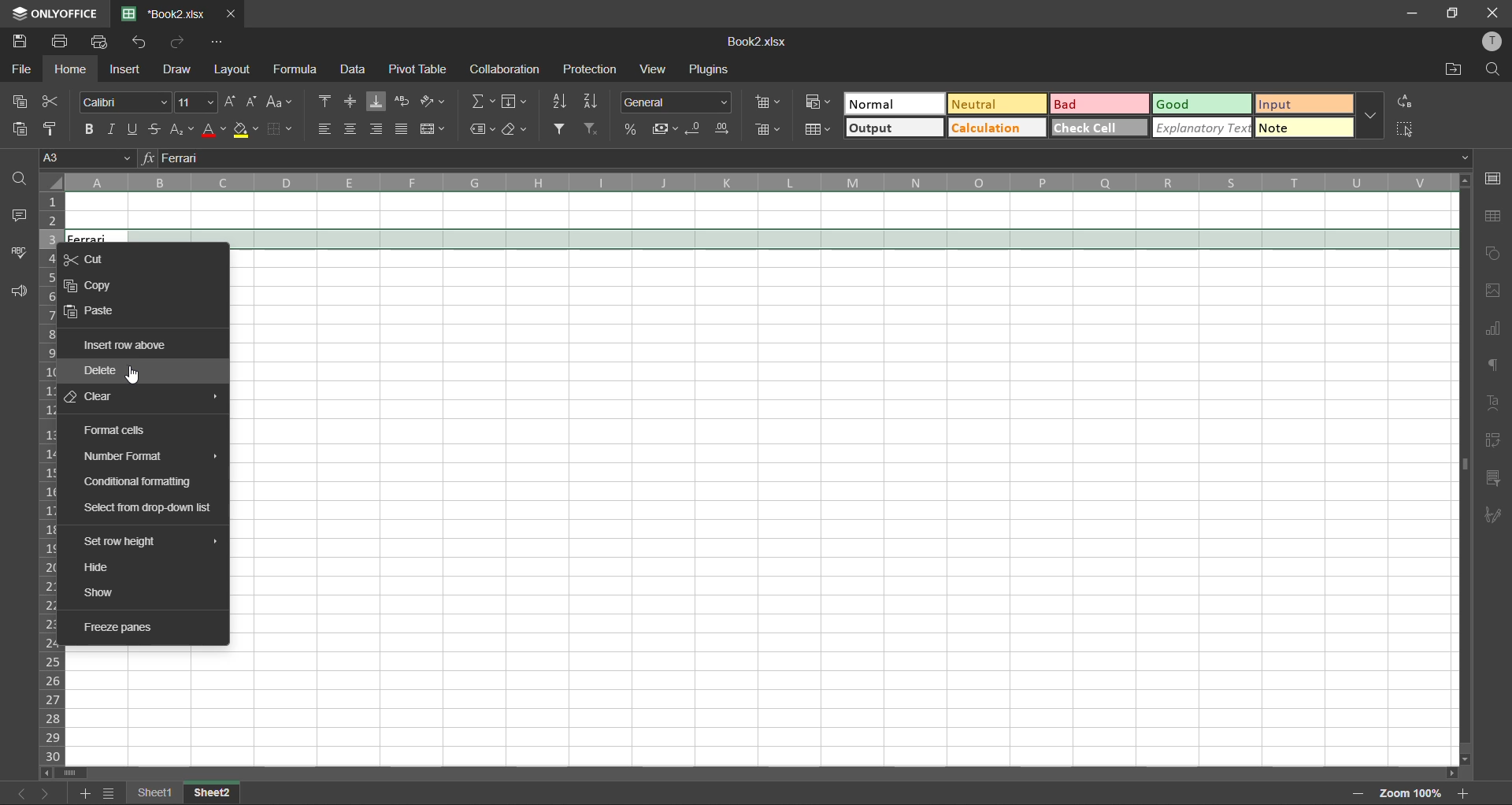 This screenshot has width=1512, height=805. Describe the element at coordinates (125, 456) in the screenshot. I see `number format` at that location.